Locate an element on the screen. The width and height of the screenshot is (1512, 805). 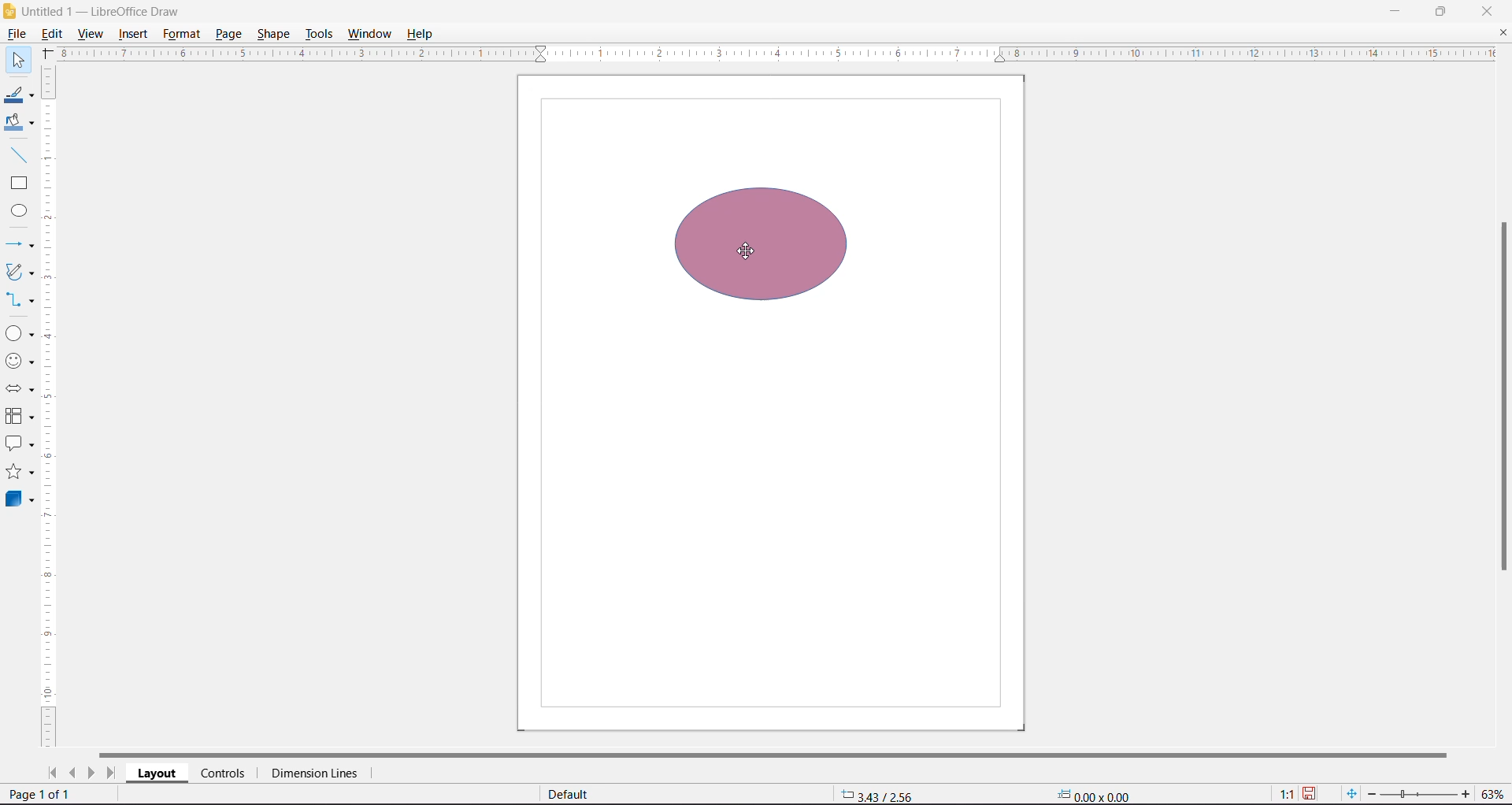
Object Position is located at coordinates (877, 794).